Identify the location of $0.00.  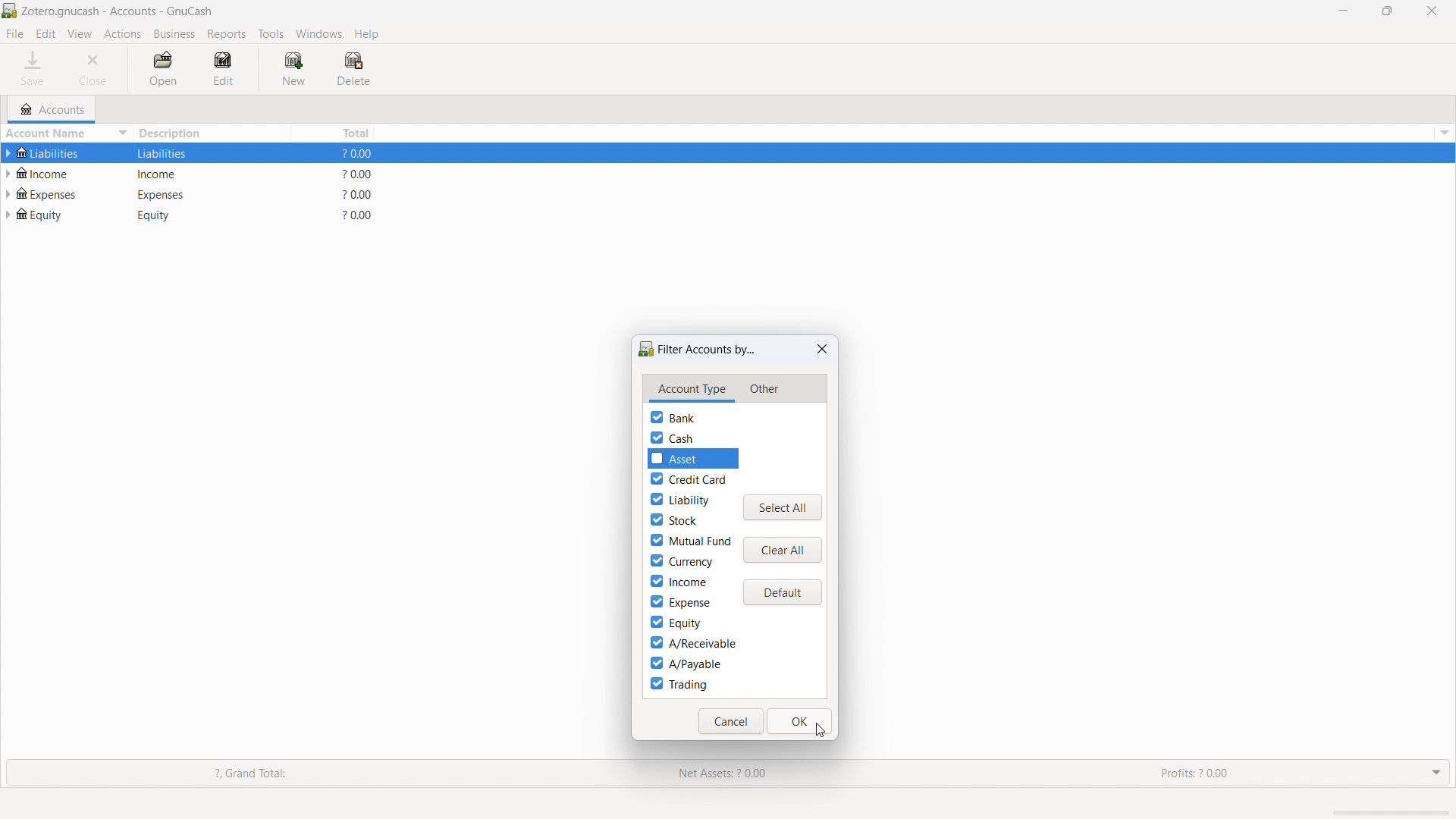
(359, 215).